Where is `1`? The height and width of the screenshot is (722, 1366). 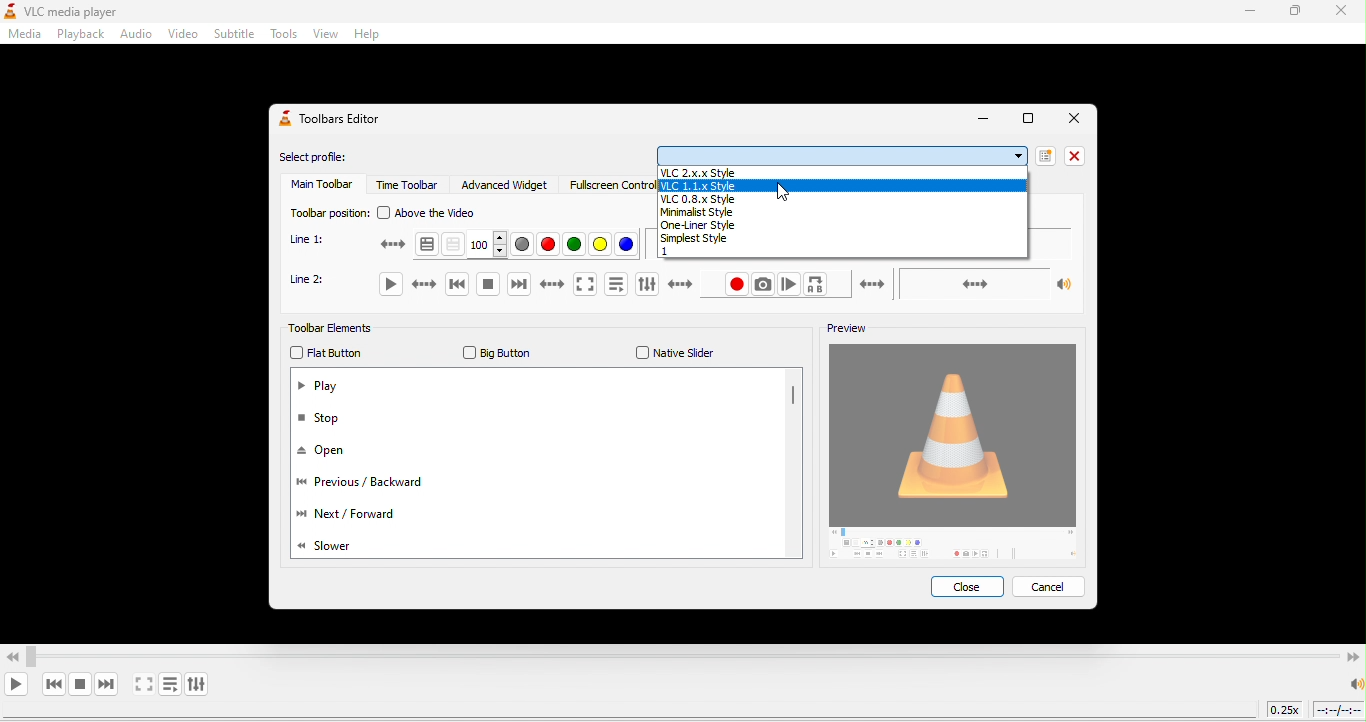
1 is located at coordinates (841, 251).